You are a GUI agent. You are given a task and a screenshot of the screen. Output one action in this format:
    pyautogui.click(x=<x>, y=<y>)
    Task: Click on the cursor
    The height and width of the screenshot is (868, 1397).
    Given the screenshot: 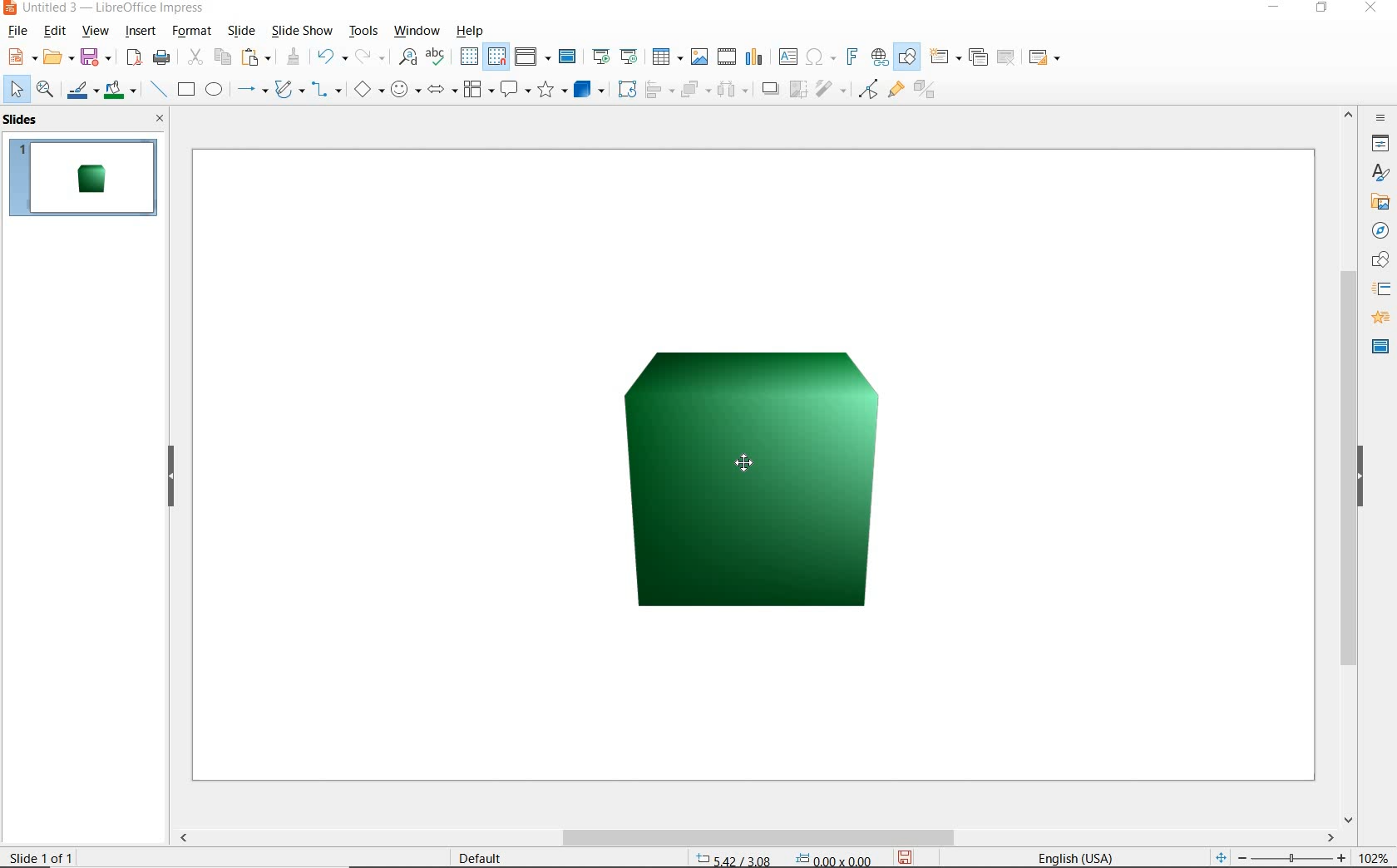 What is the action you would take?
    pyautogui.click(x=746, y=460)
    